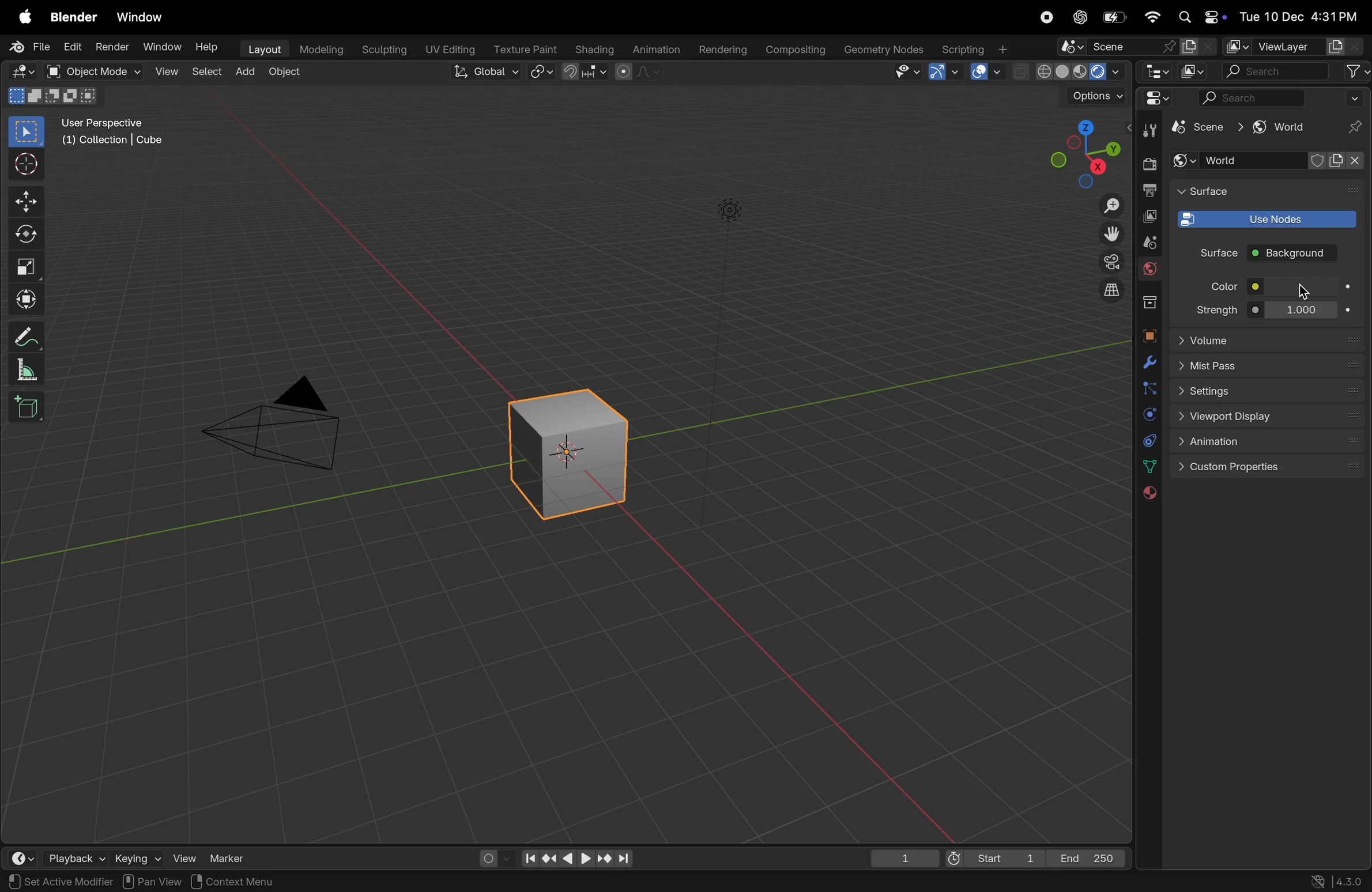 Image resolution: width=1372 pixels, height=892 pixels. Describe the element at coordinates (576, 448) in the screenshot. I see `3d cube` at that location.